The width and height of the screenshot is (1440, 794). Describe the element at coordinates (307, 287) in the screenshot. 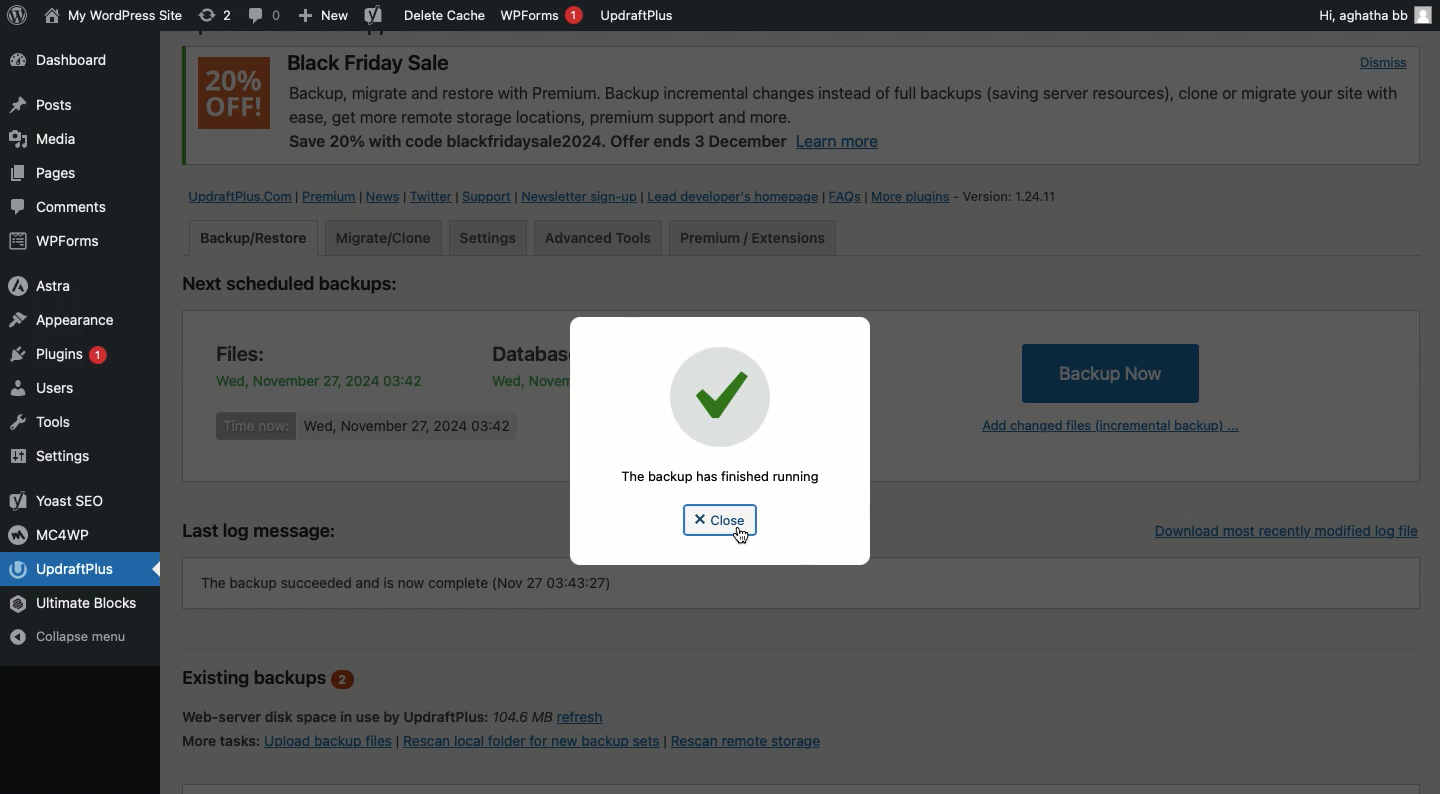

I see `Next scheduled backups:` at that location.